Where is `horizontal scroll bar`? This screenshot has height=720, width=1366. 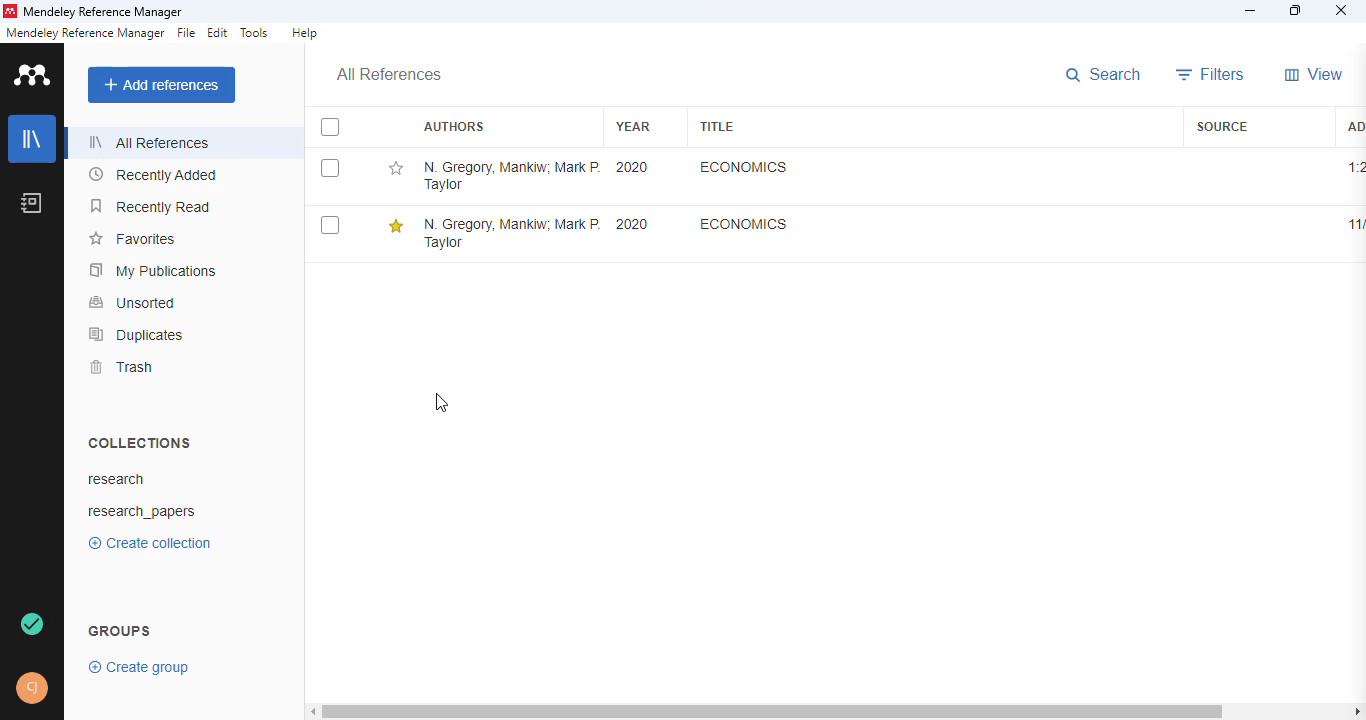 horizontal scroll bar is located at coordinates (773, 711).